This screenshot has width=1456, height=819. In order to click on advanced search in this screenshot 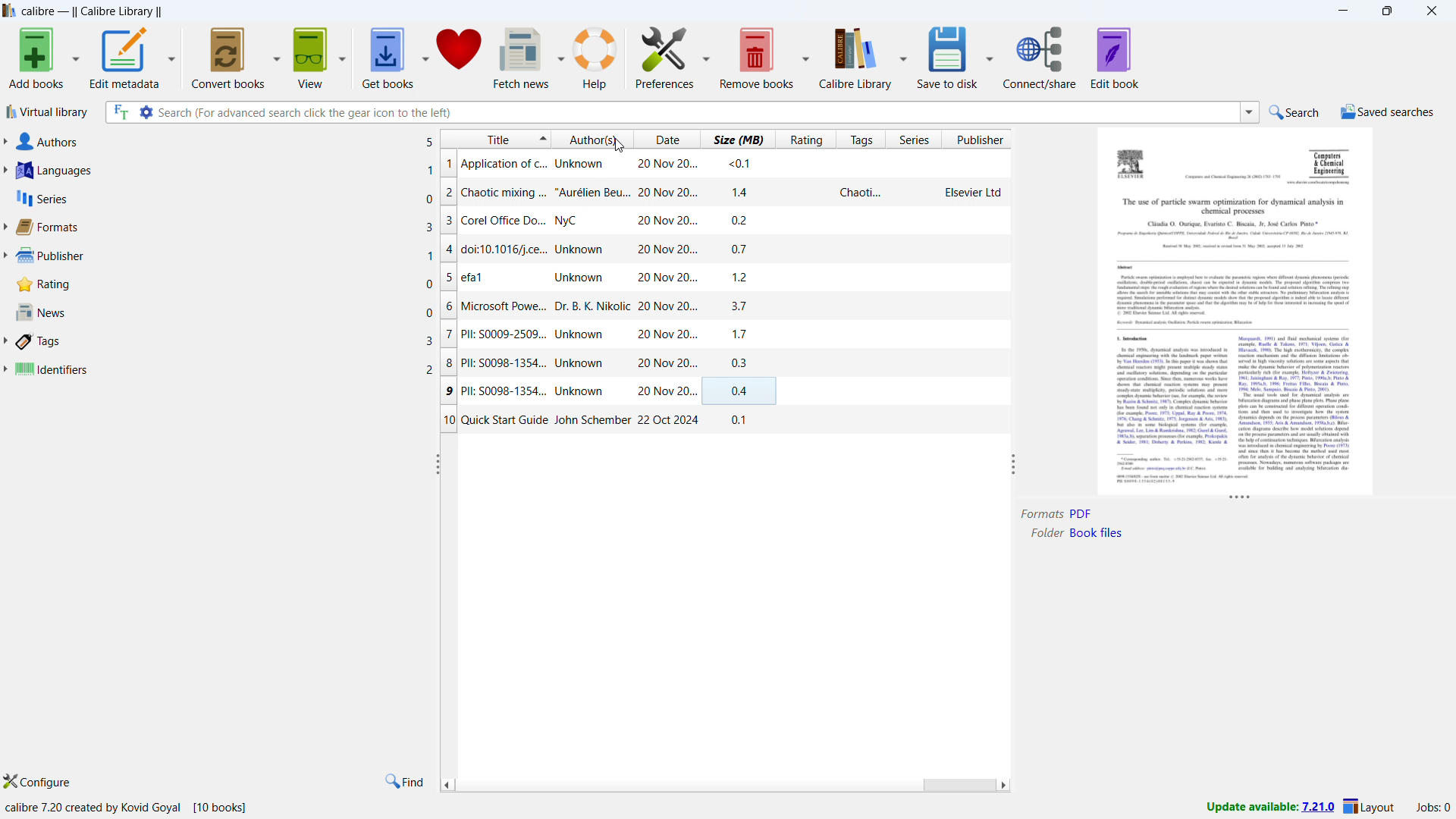, I will do `click(146, 112)`.